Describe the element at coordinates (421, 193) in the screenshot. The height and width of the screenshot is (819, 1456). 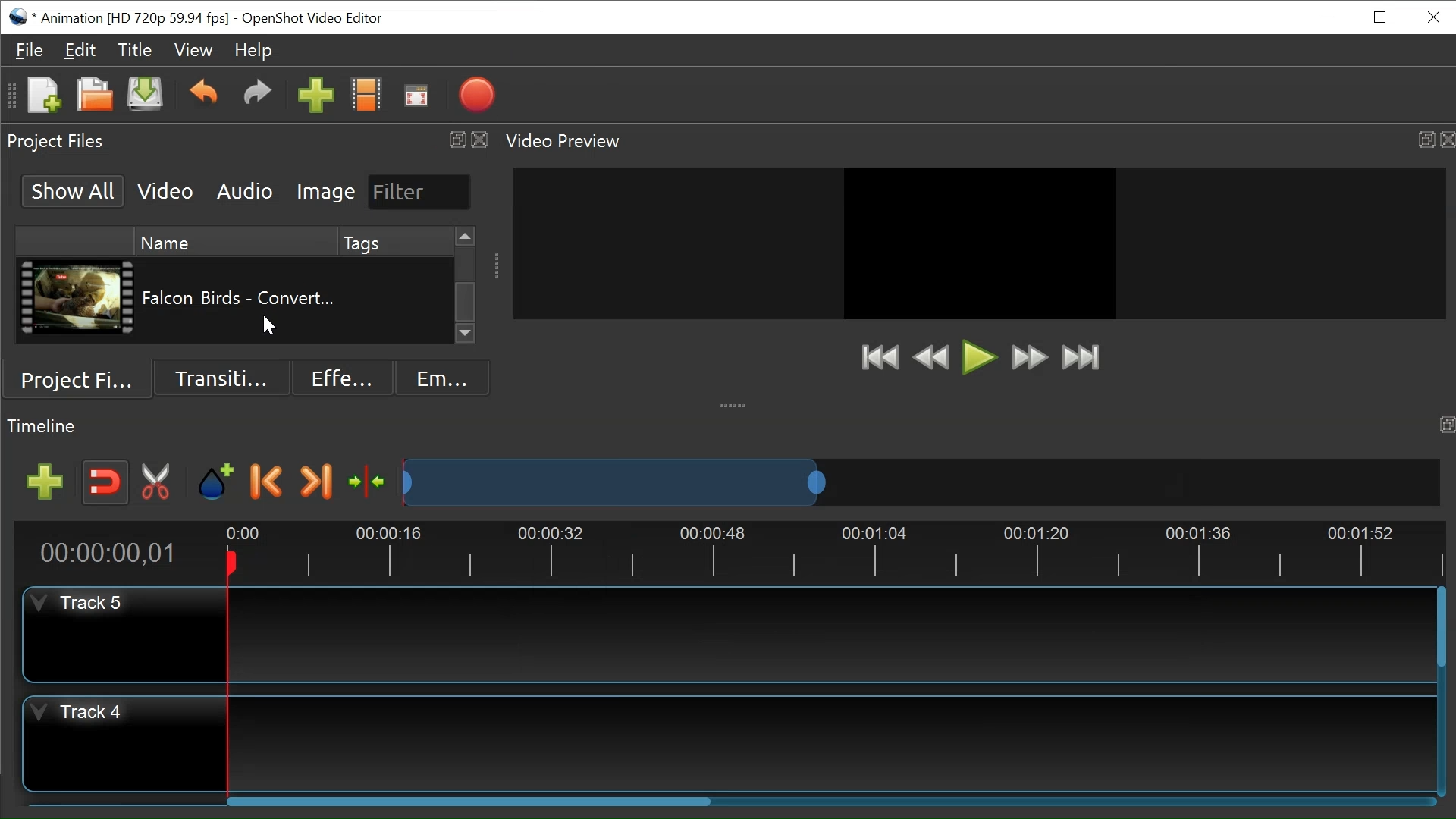
I see `Filter` at that location.